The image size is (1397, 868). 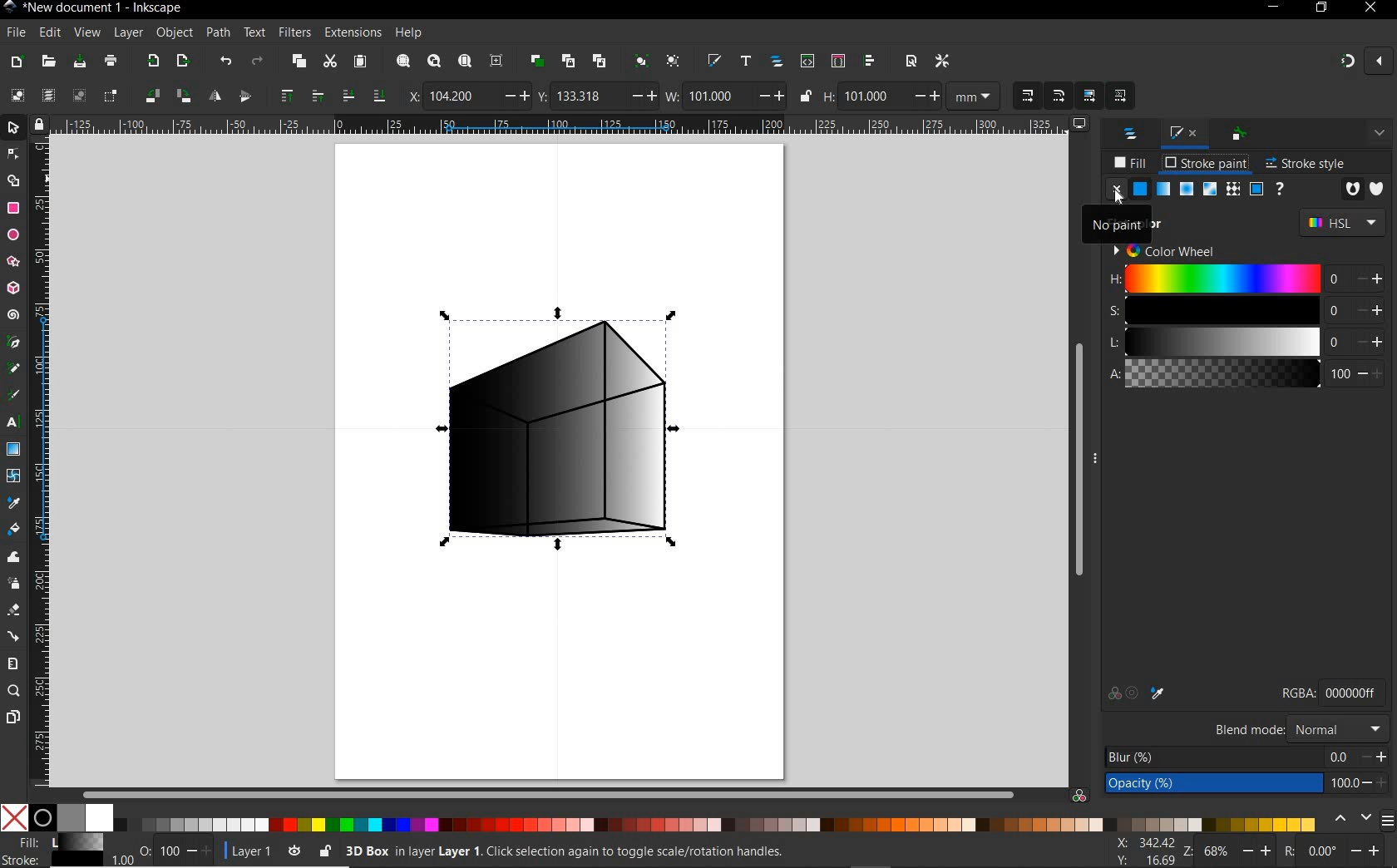 What do you see at coordinates (1298, 693) in the screenshot?
I see `rgba` at bounding box center [1298, 693].